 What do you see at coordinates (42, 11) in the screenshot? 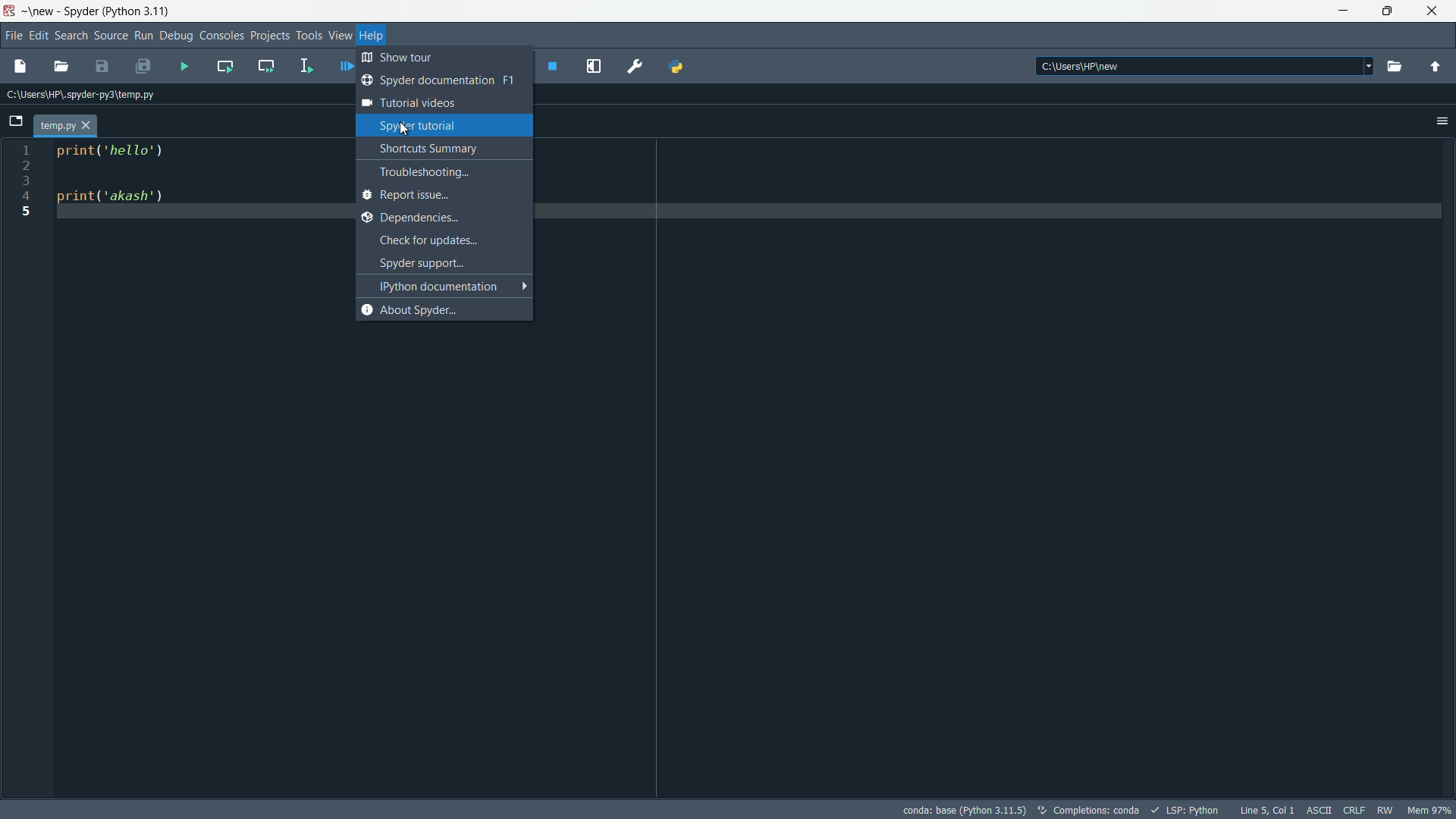
I see `~\new` at bounding box center [42, 11].